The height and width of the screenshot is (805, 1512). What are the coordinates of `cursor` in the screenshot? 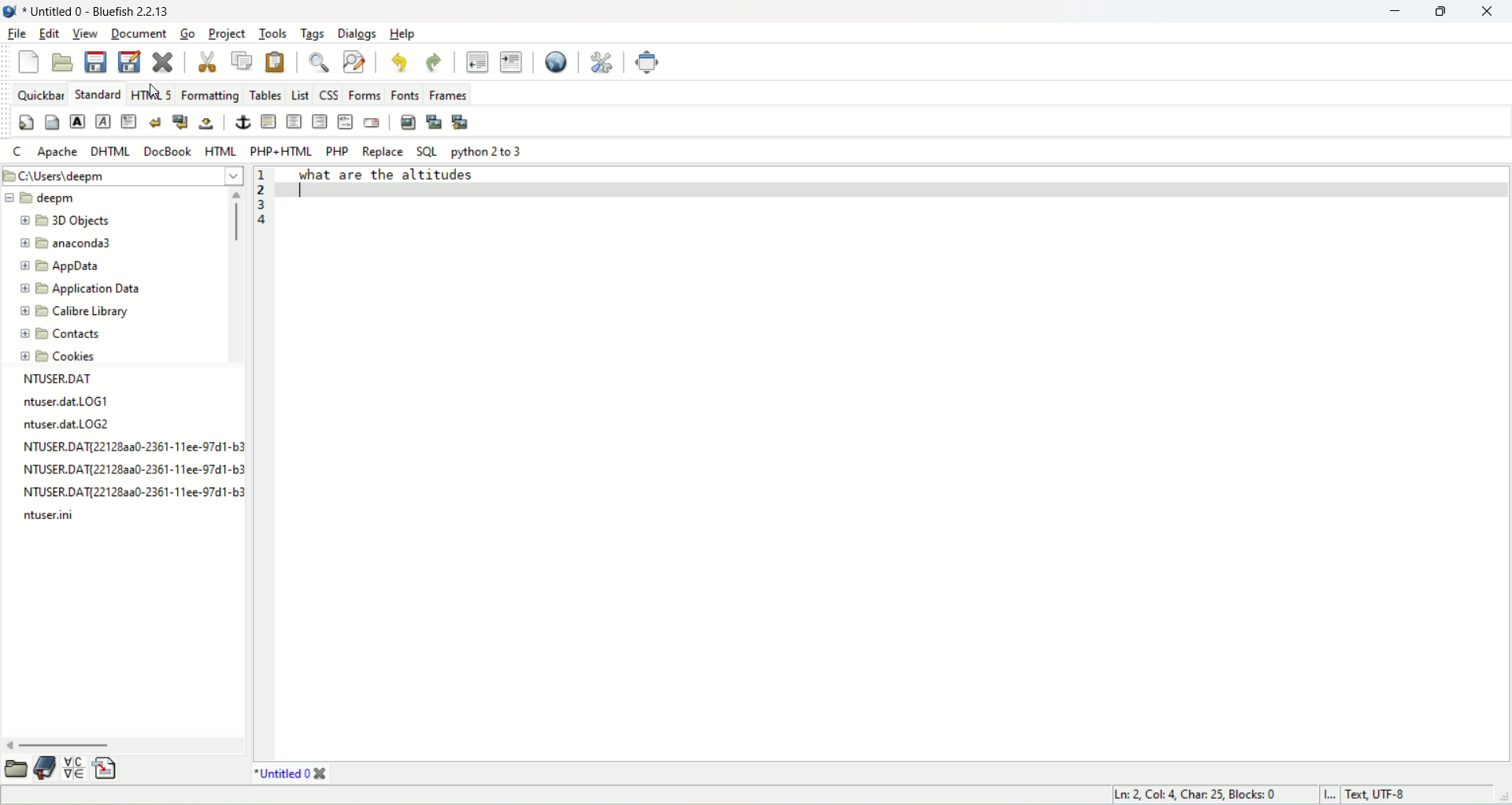 It's located at (154, 91).